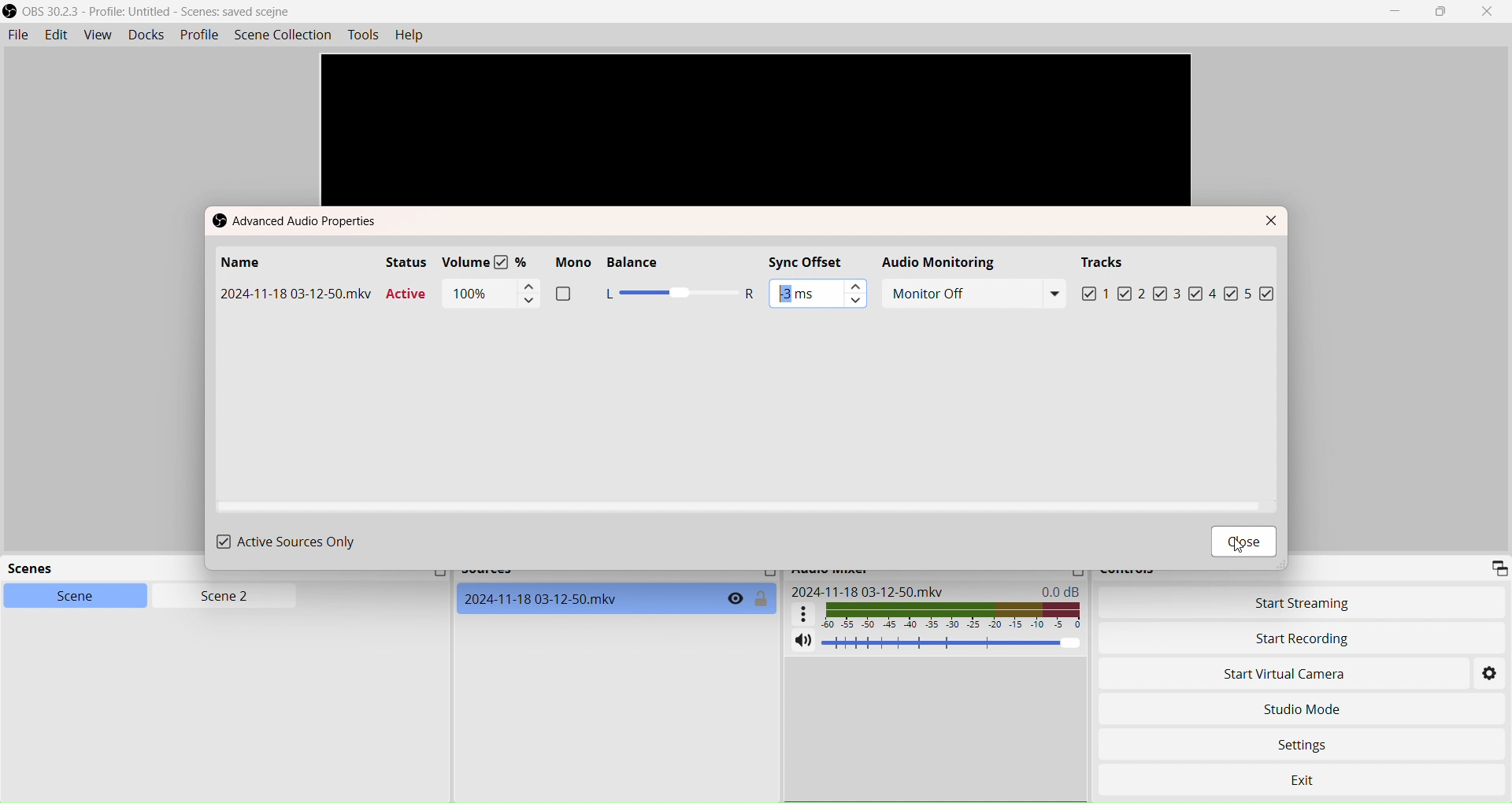 The width and height of the screenshot is (1512, 803). Describe the element at coordinates (544, 598) in the screenshot. I see `WebCam Source` at that location.